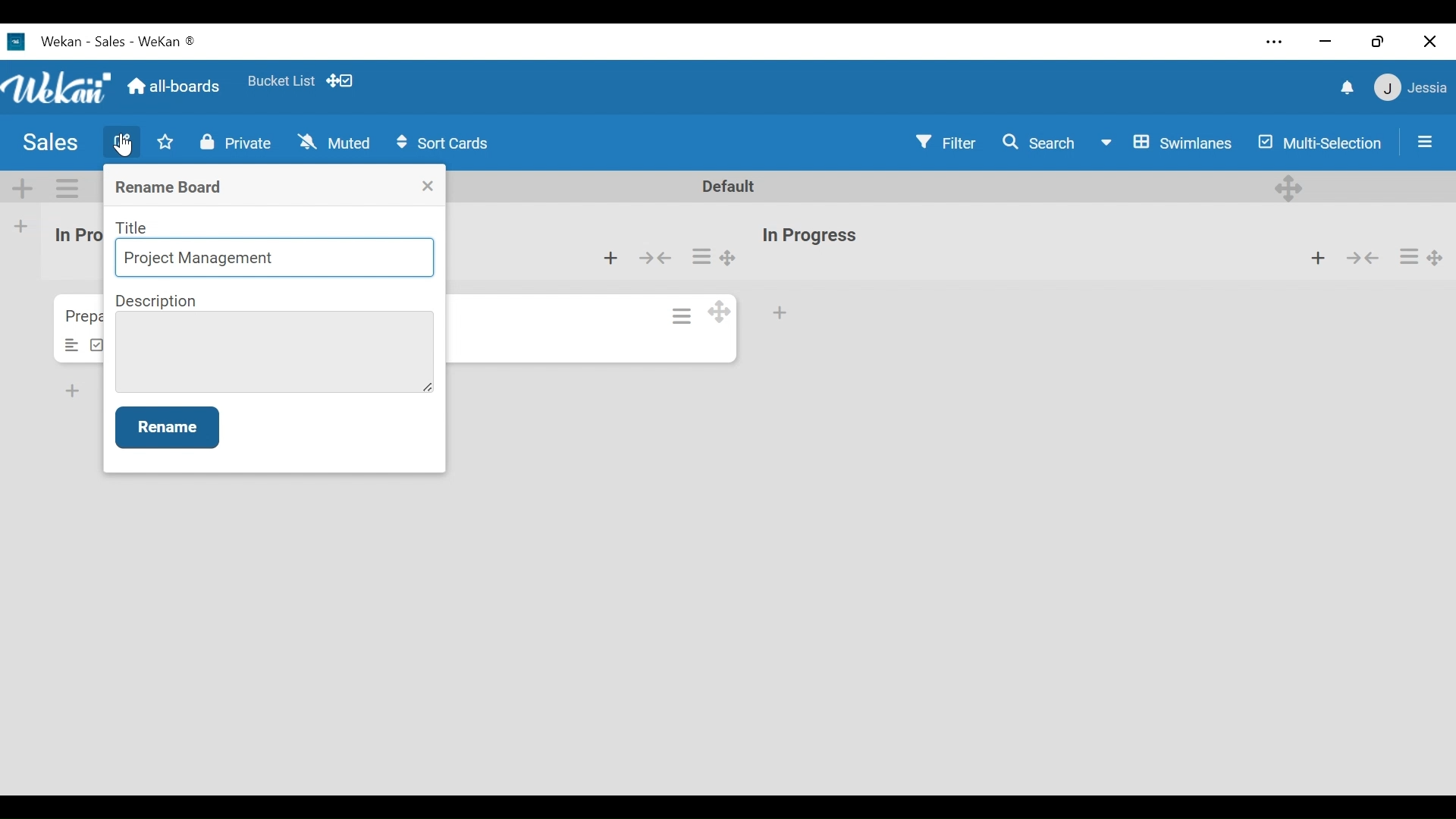  Describe the element at coordinates (1326, 40) in the screenshot. I see `minimize` at that location.